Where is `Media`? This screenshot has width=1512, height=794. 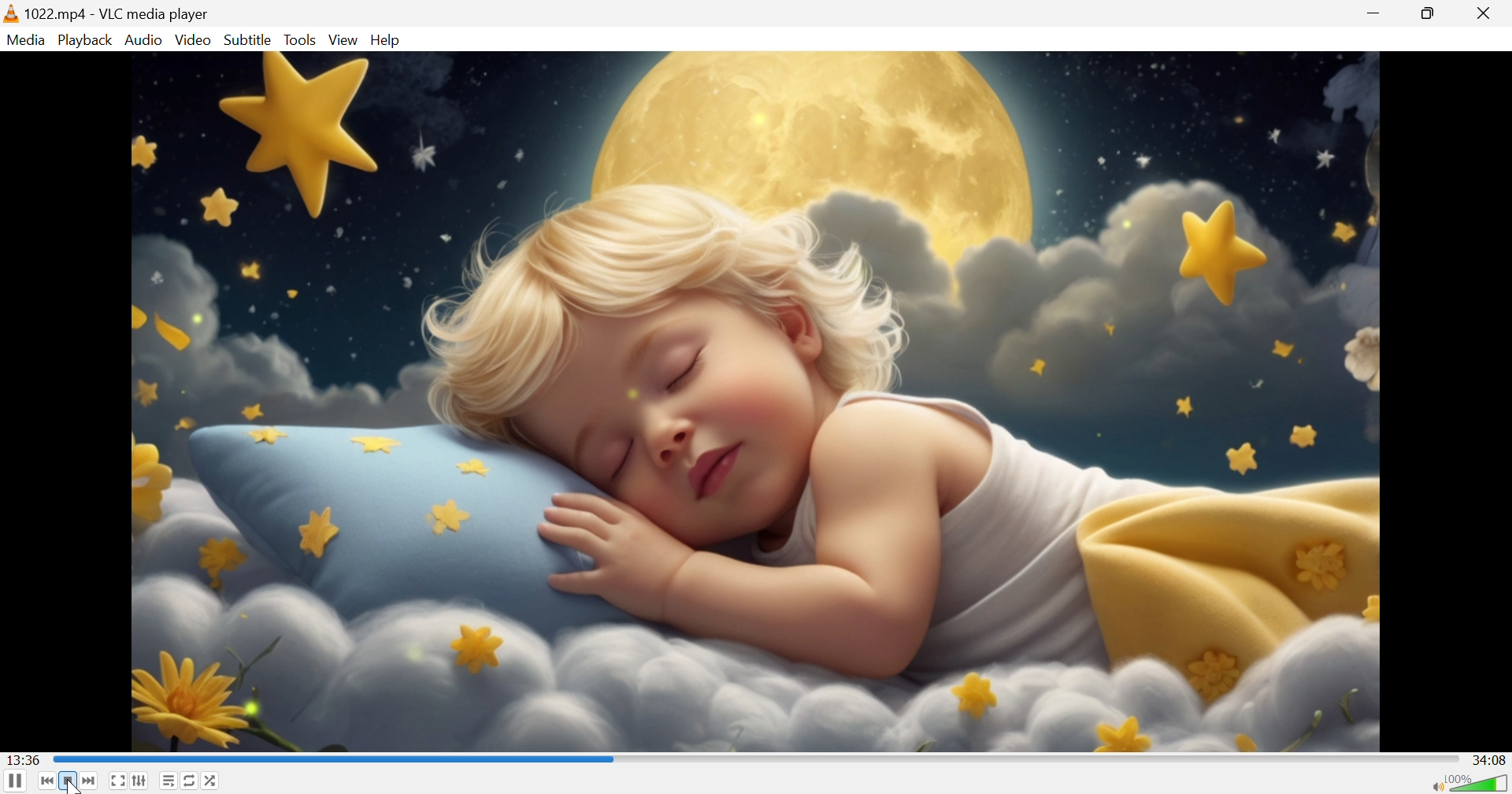
Media is located at coordinates (27, 40).